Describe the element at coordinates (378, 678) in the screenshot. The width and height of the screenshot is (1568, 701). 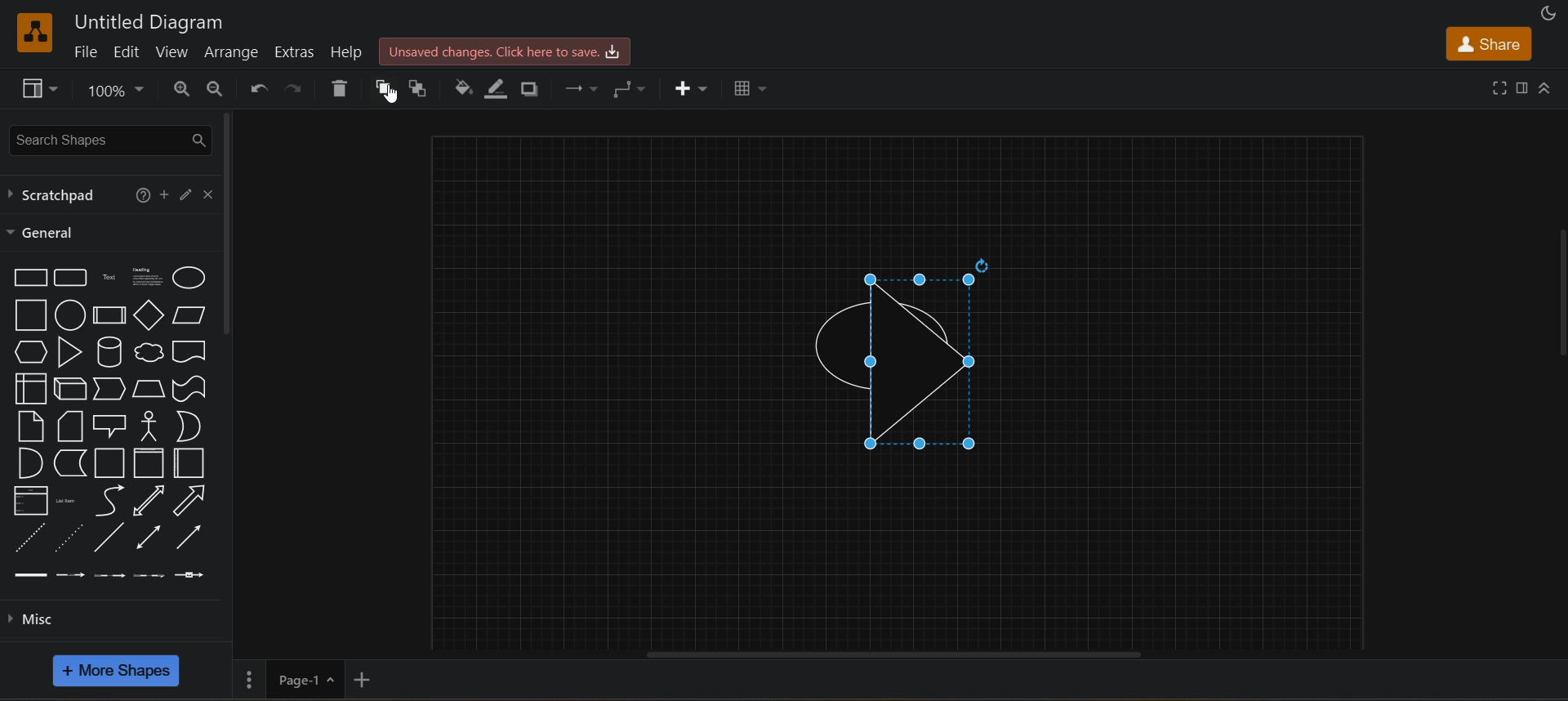
I see `add new page` at that location.